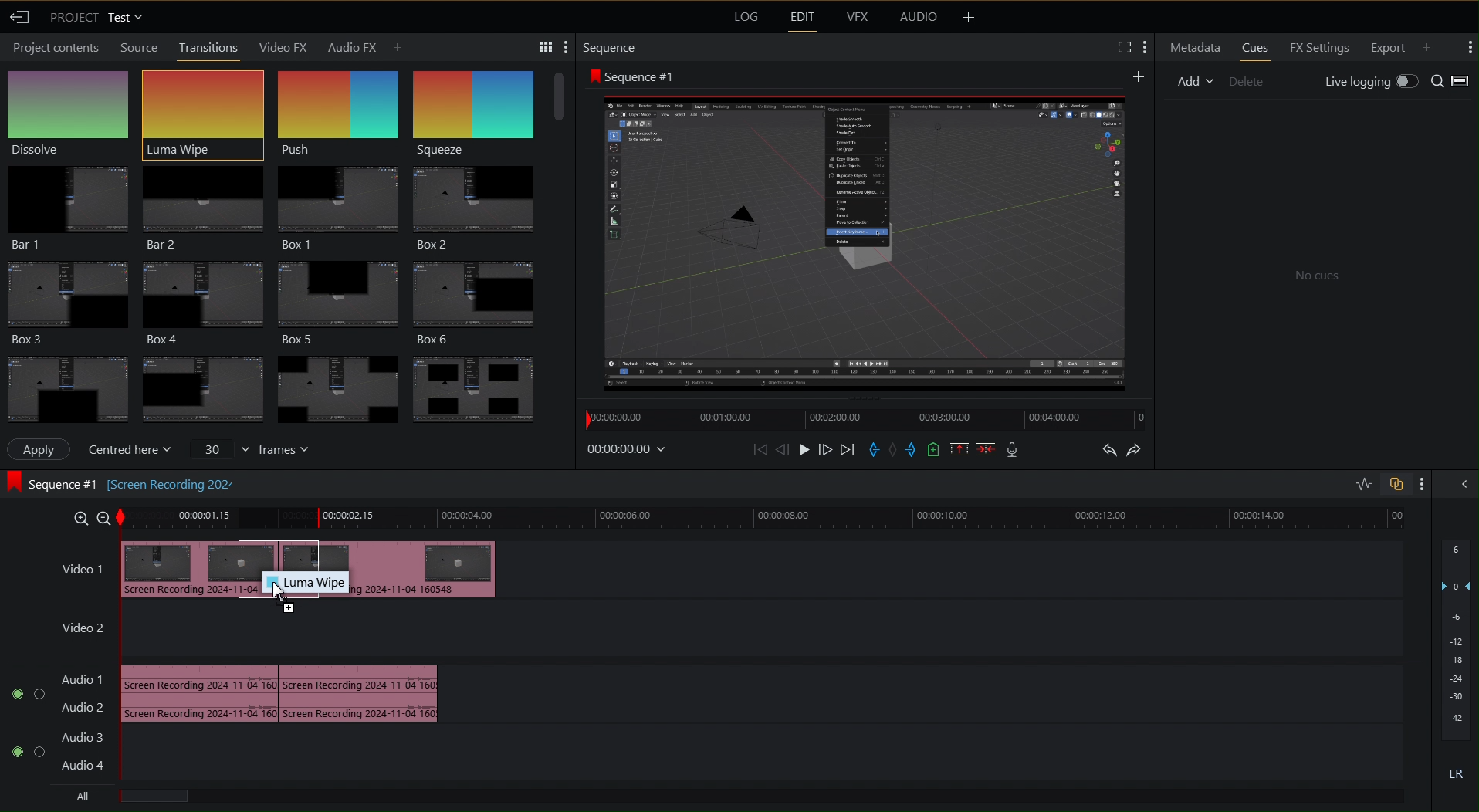  I want to click on Exit Marker, so click(913, 450).